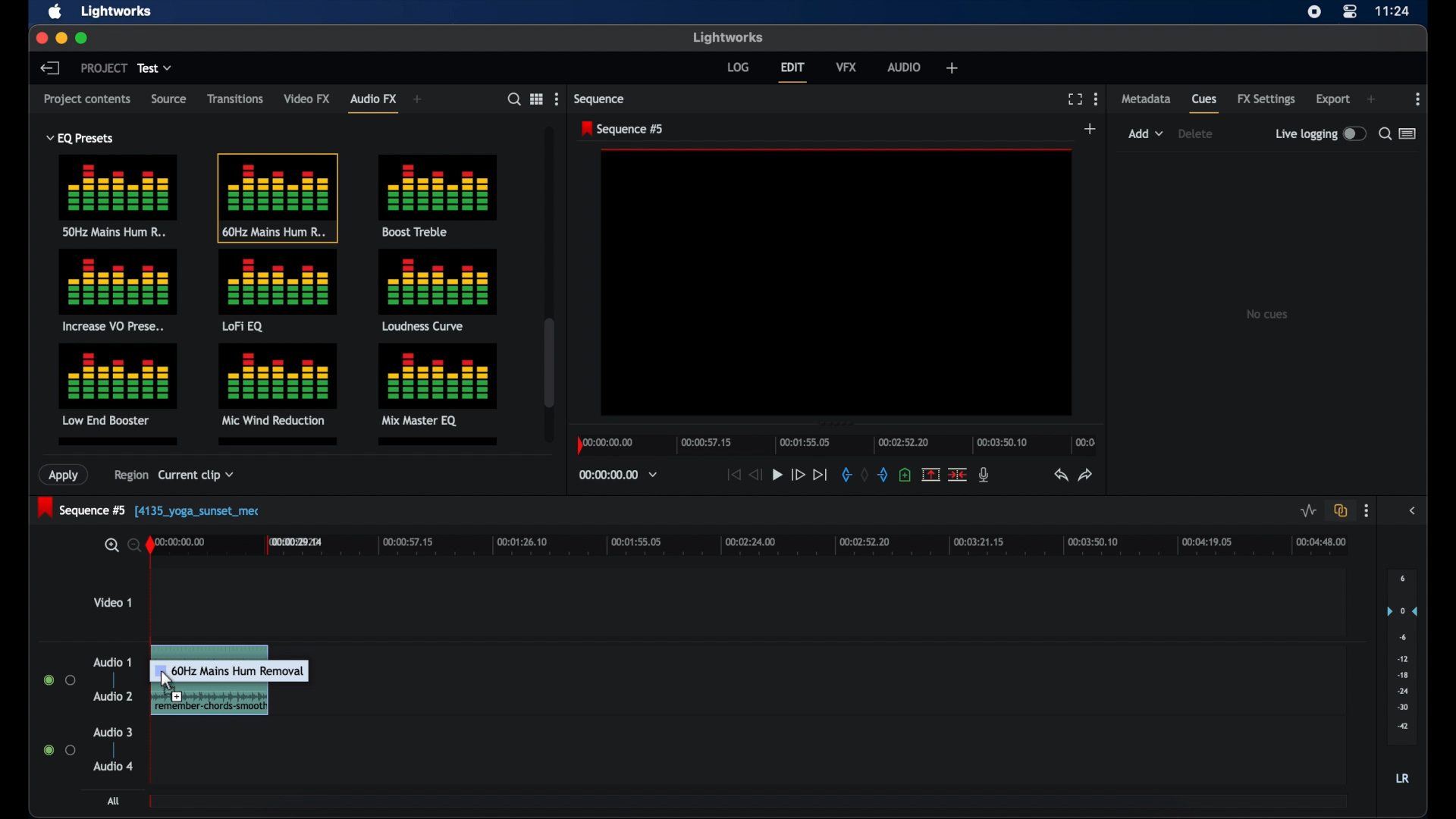 The image size is (1456, 819). What do you see at coordinates (1348, 12) in the screenshot?
I see `control center` at bounding box center [1348, 12].